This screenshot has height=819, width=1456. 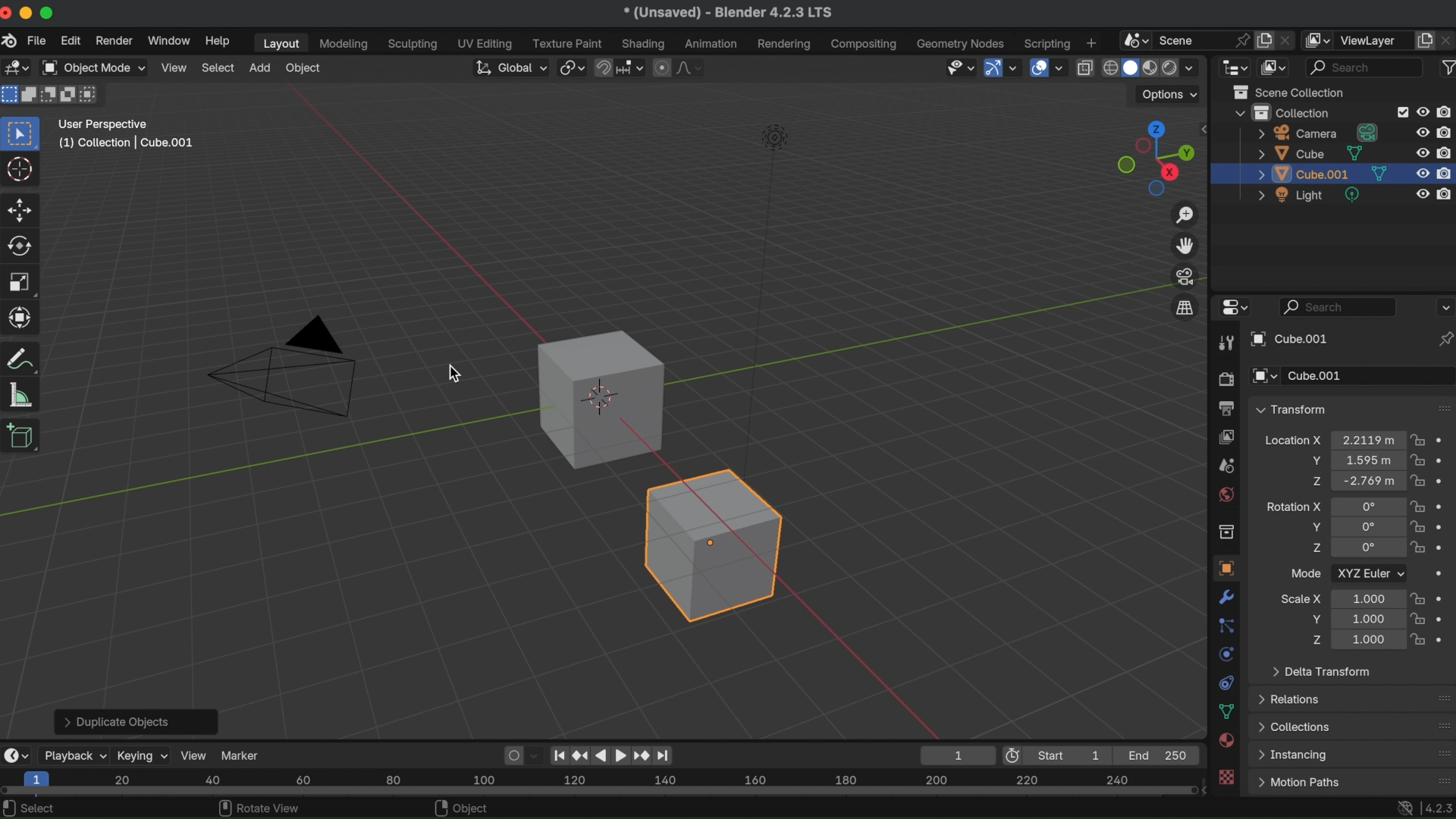 What do you see at coordinates (23, 317) in the screenshot?
I see `scale` at bounding box center [23, 317].